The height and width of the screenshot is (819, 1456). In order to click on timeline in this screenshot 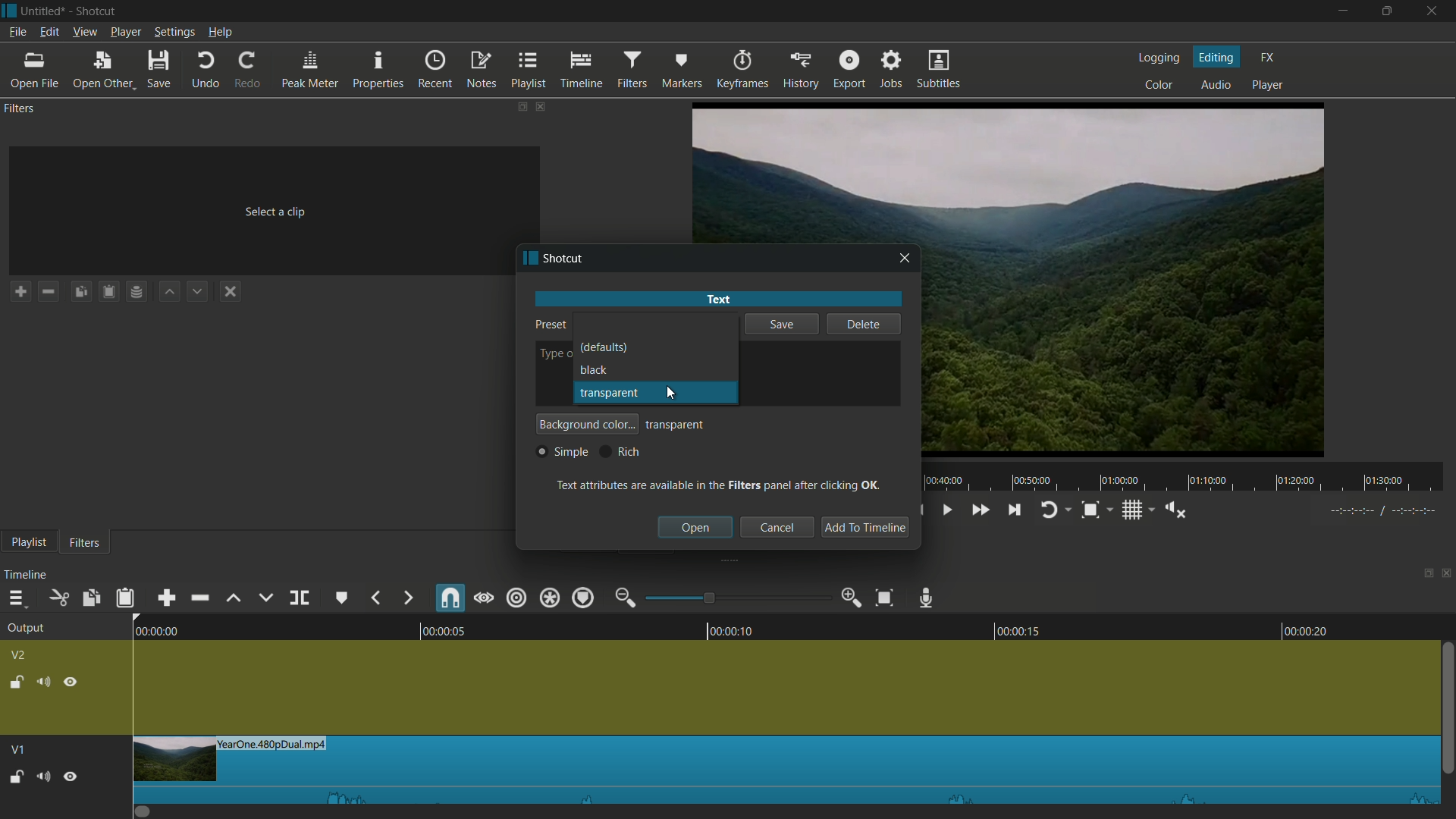, I will do `click(581, 71)`.